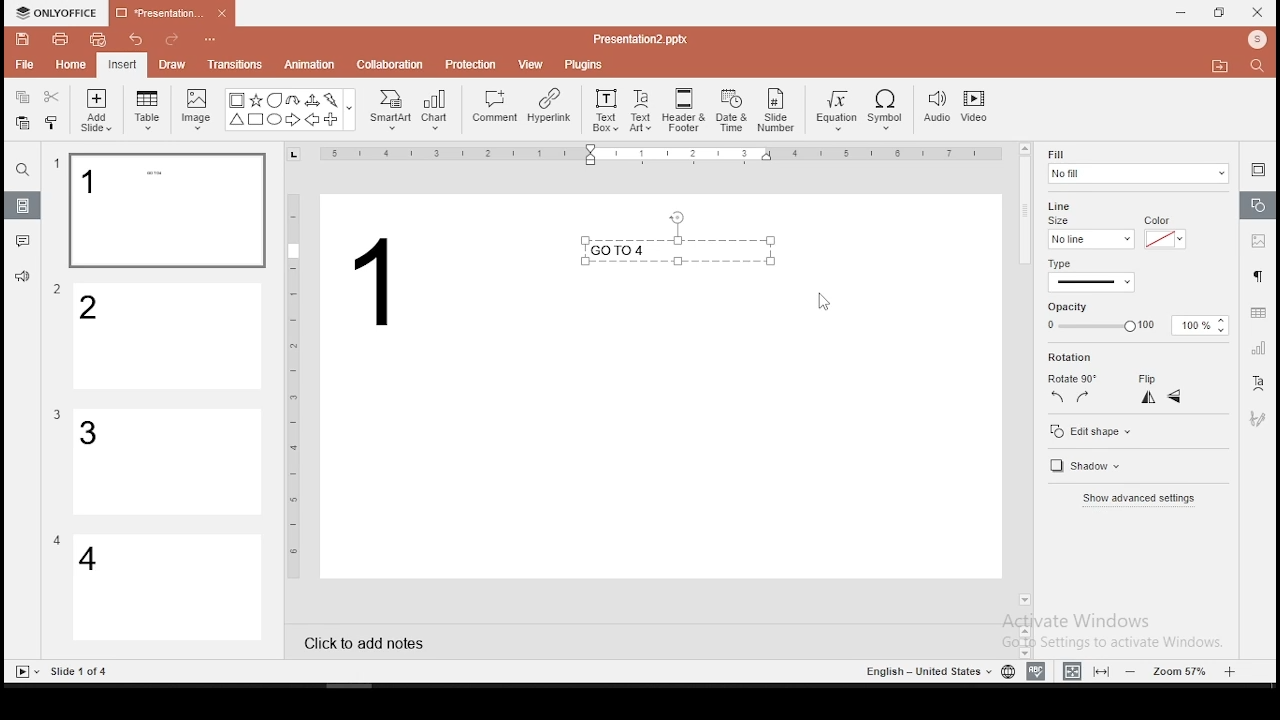 This screenshot has height=720, width=1280. Describe the element at coordinates (370, 641) in the screenshot. I see `click to add notes` at that location.